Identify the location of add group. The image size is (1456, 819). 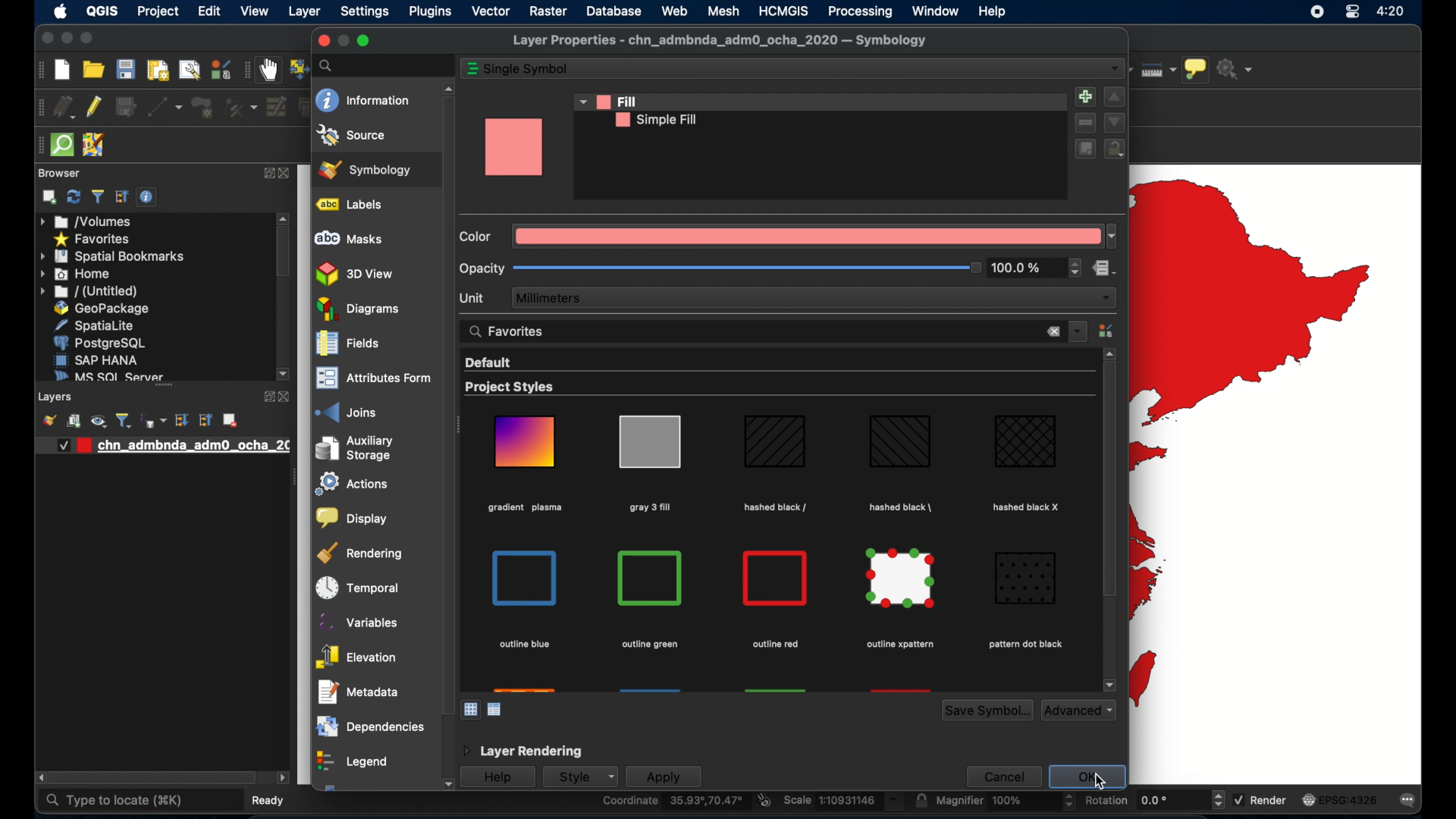
(74, 422).